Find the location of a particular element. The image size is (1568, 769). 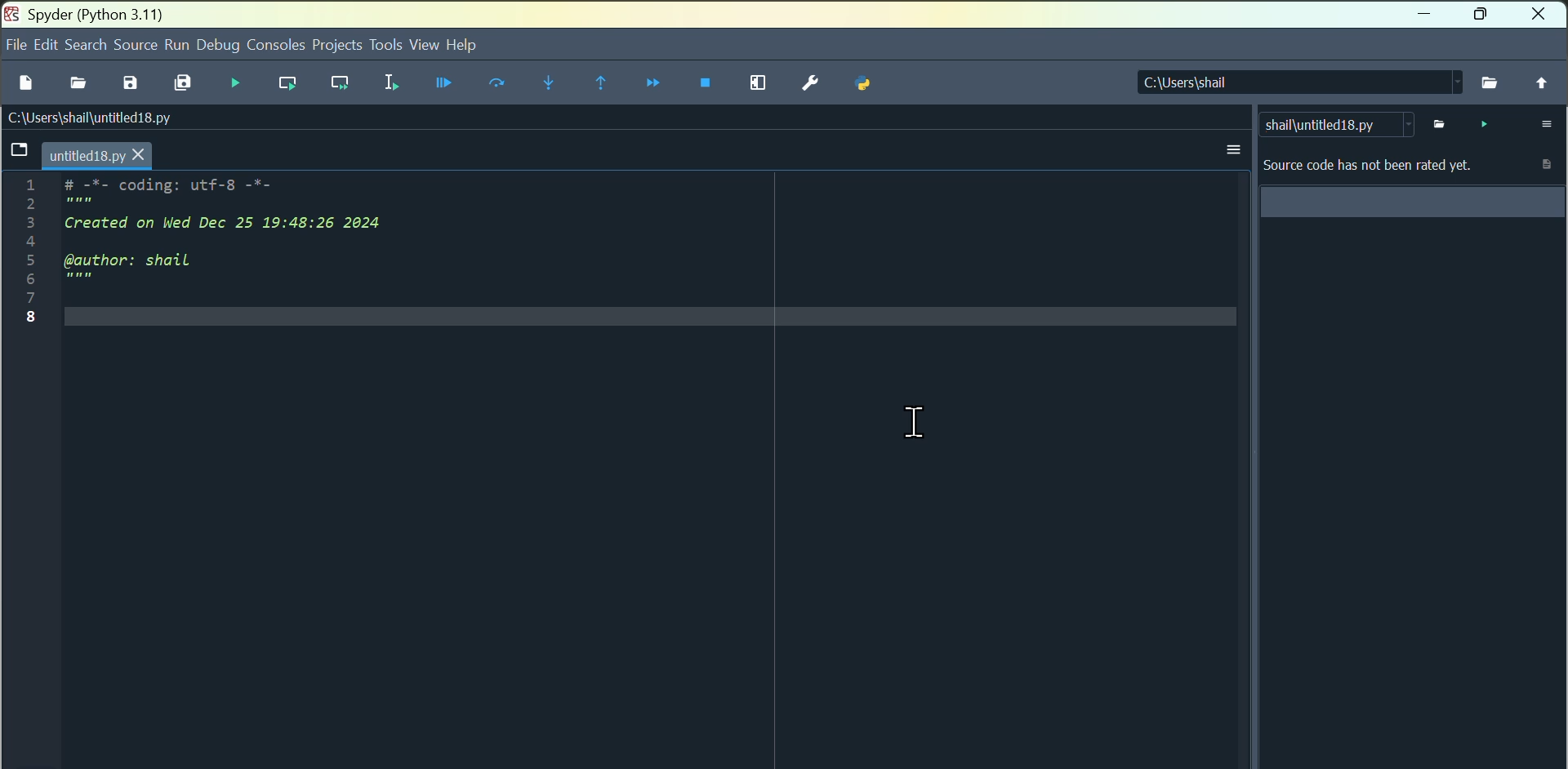

Continue debugging until next function is located at coordinates (650, 82).